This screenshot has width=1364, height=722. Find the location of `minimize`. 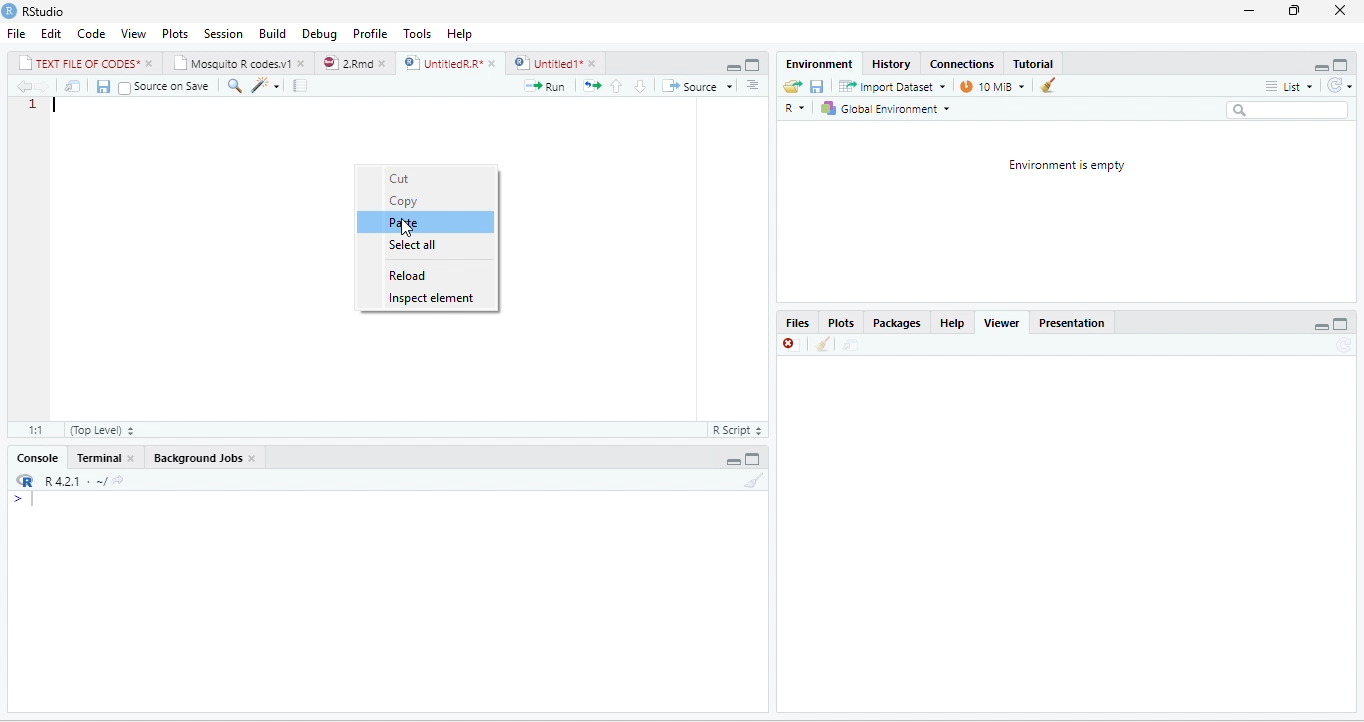

minimize is located at coordinates (735, 457).